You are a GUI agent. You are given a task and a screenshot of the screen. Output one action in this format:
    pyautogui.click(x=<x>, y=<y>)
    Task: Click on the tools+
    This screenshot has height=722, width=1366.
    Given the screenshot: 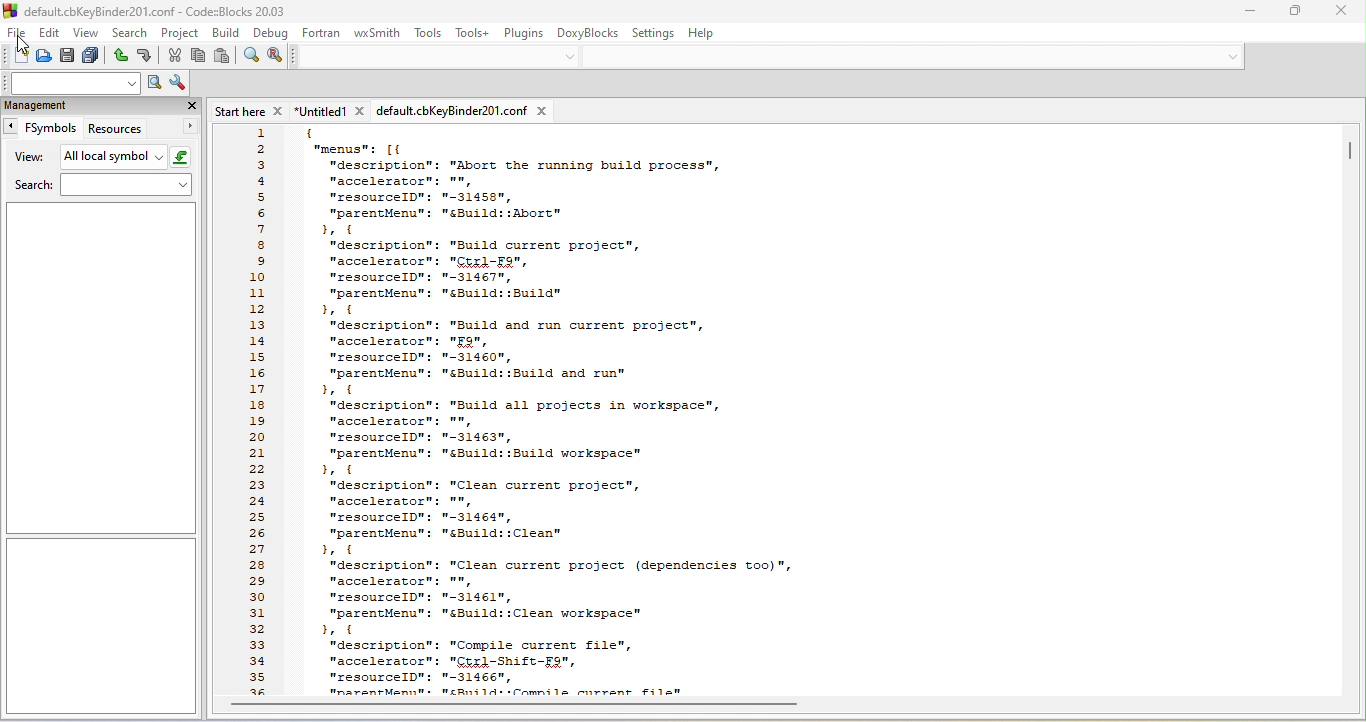 What is the action you would take?
    pyautogui.click(x=473, y=34)
    